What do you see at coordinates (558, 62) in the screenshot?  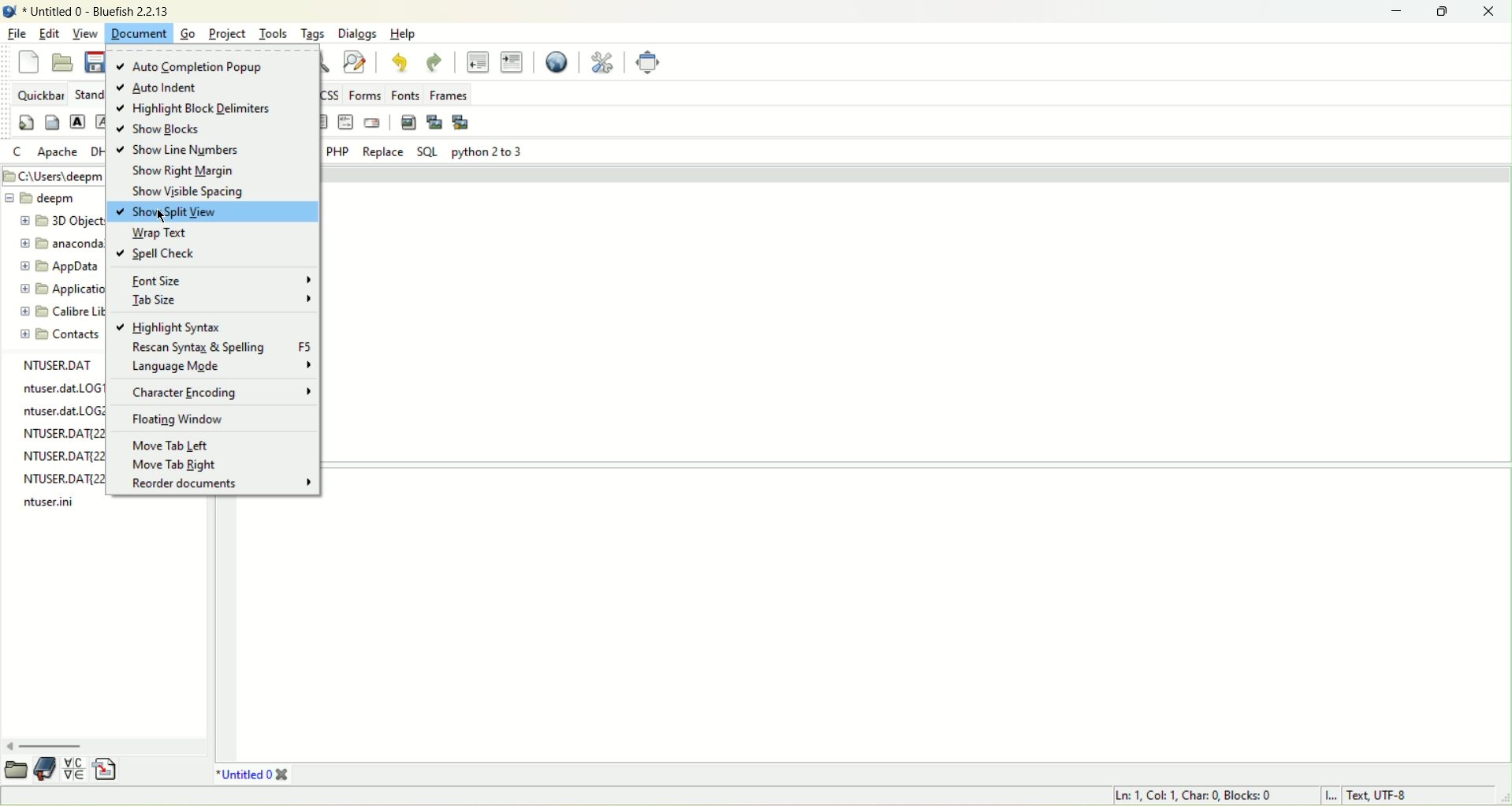 I see `view in browser` at bounding box center [558, 62].